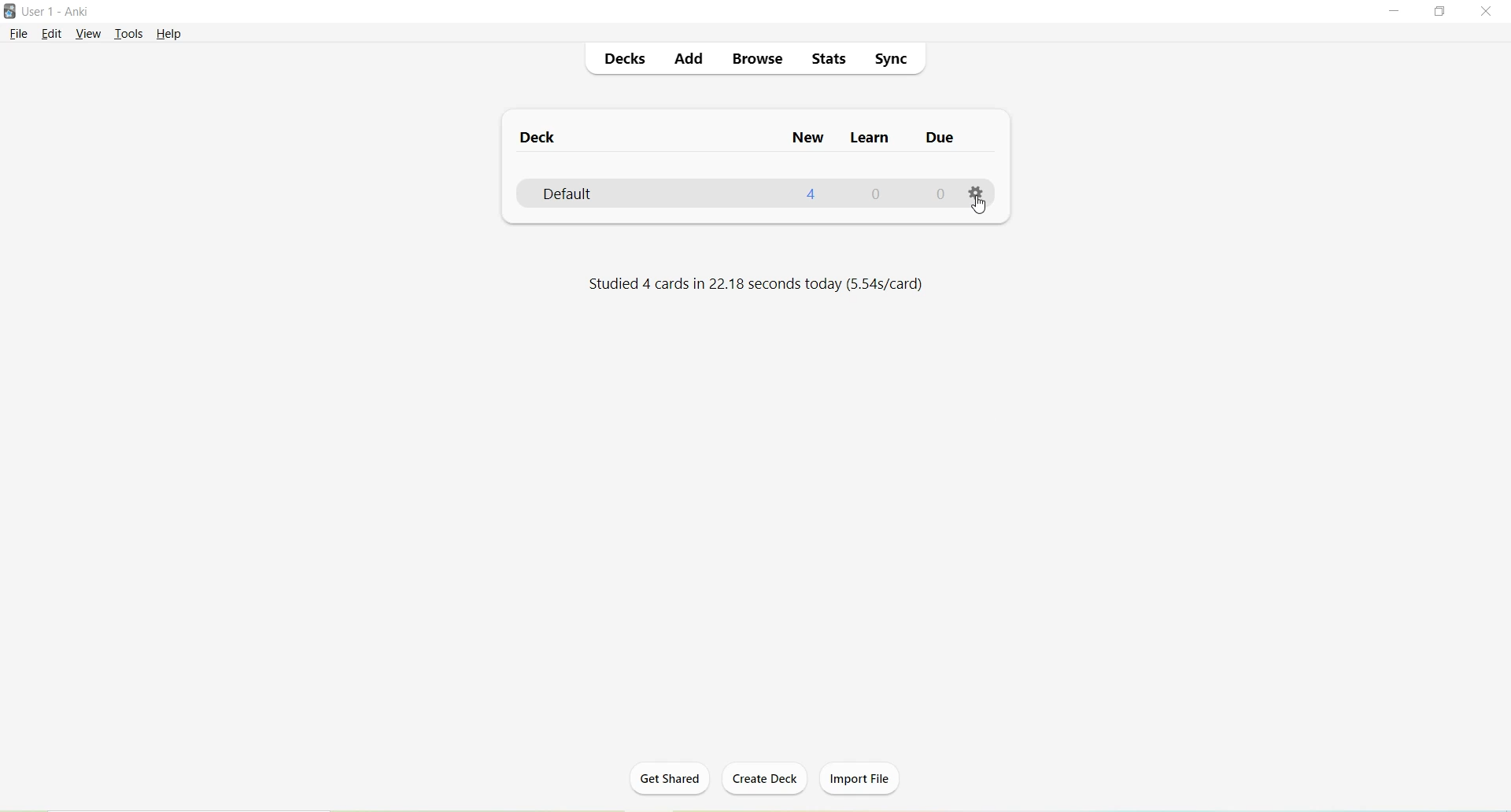 This screenshot has height=812, width=1511. What do you see at coordinates (593, 194) in the screenshot?
I see `Default` at bounding box center [593, 194].